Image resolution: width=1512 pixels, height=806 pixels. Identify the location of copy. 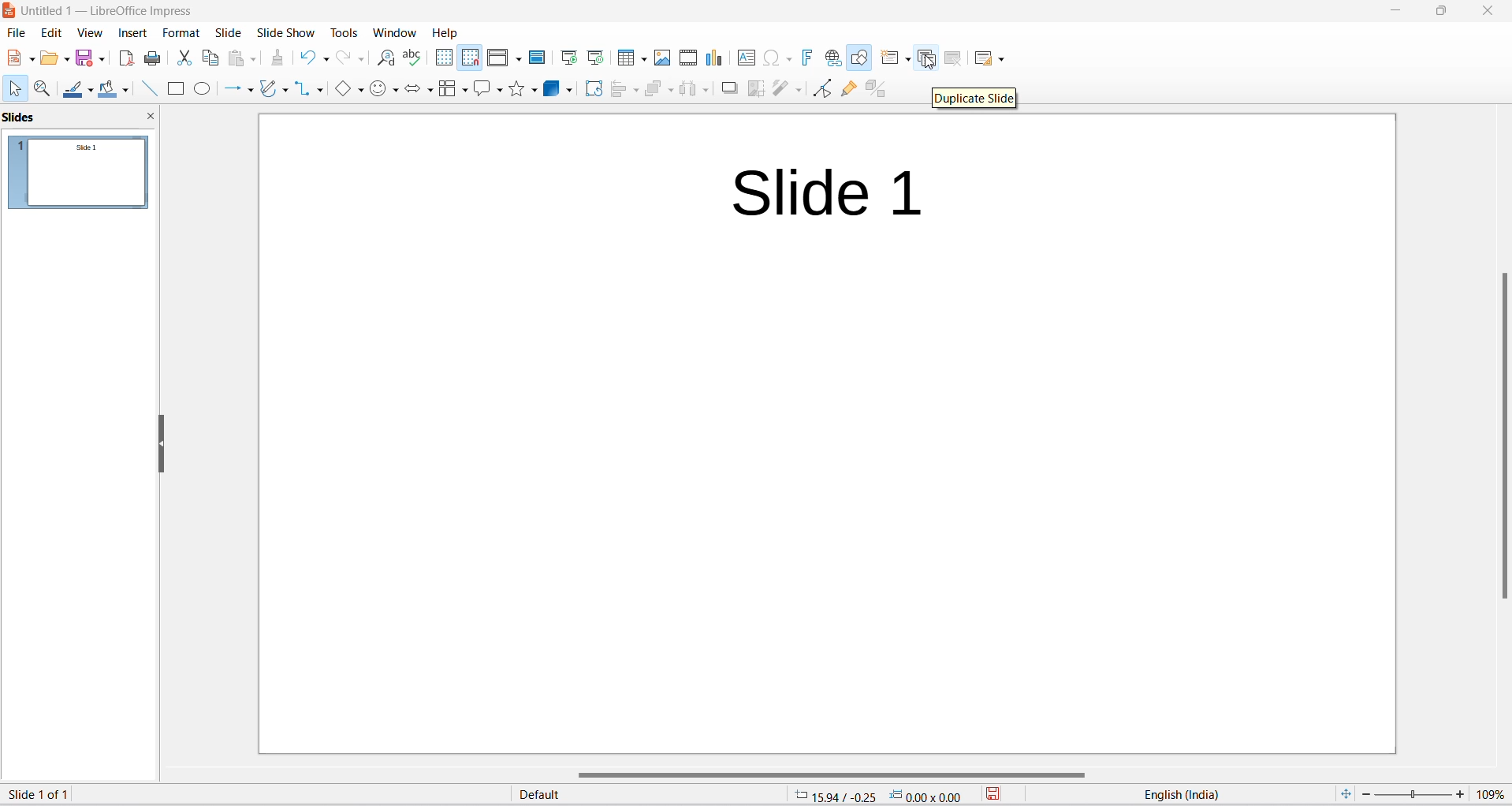
(211, 59).